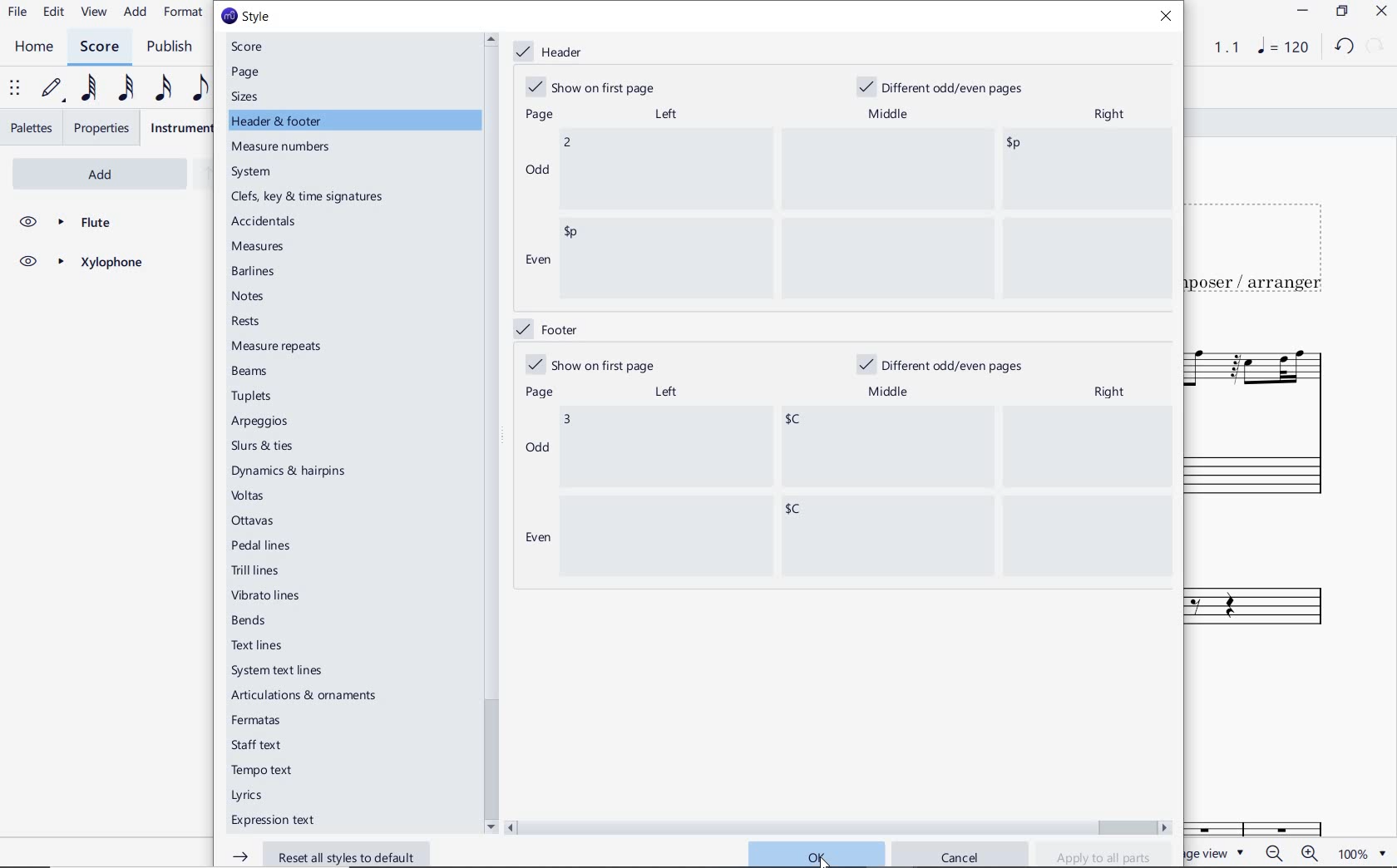 The height and width of the screenshot is (868, 1397). Describe the element at coordinates (15, 89) in the screenshot. I see `SELECT TO MOVE` at that location.